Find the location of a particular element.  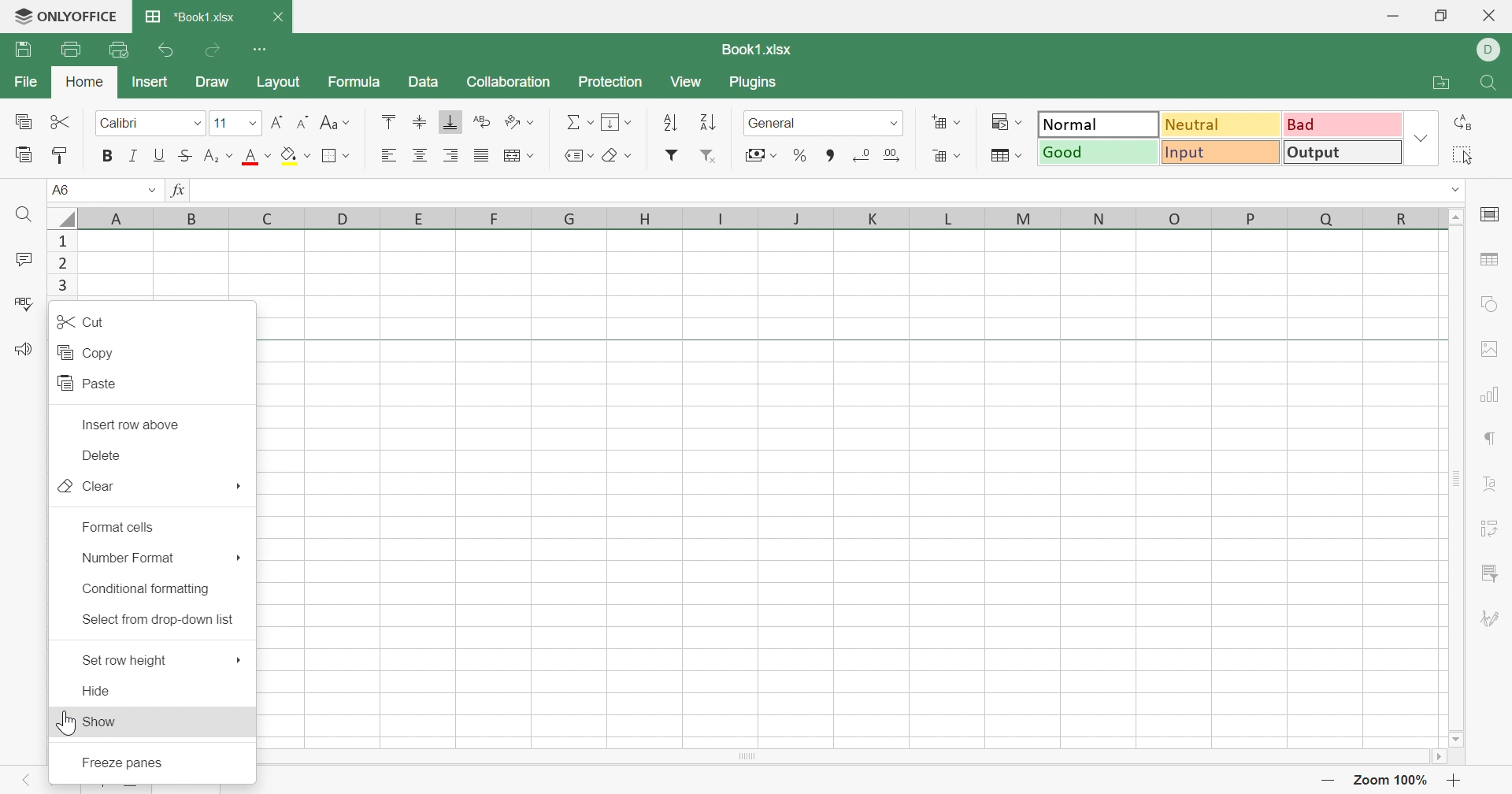

Zoom 100% is located at coordinates (1393, 780).